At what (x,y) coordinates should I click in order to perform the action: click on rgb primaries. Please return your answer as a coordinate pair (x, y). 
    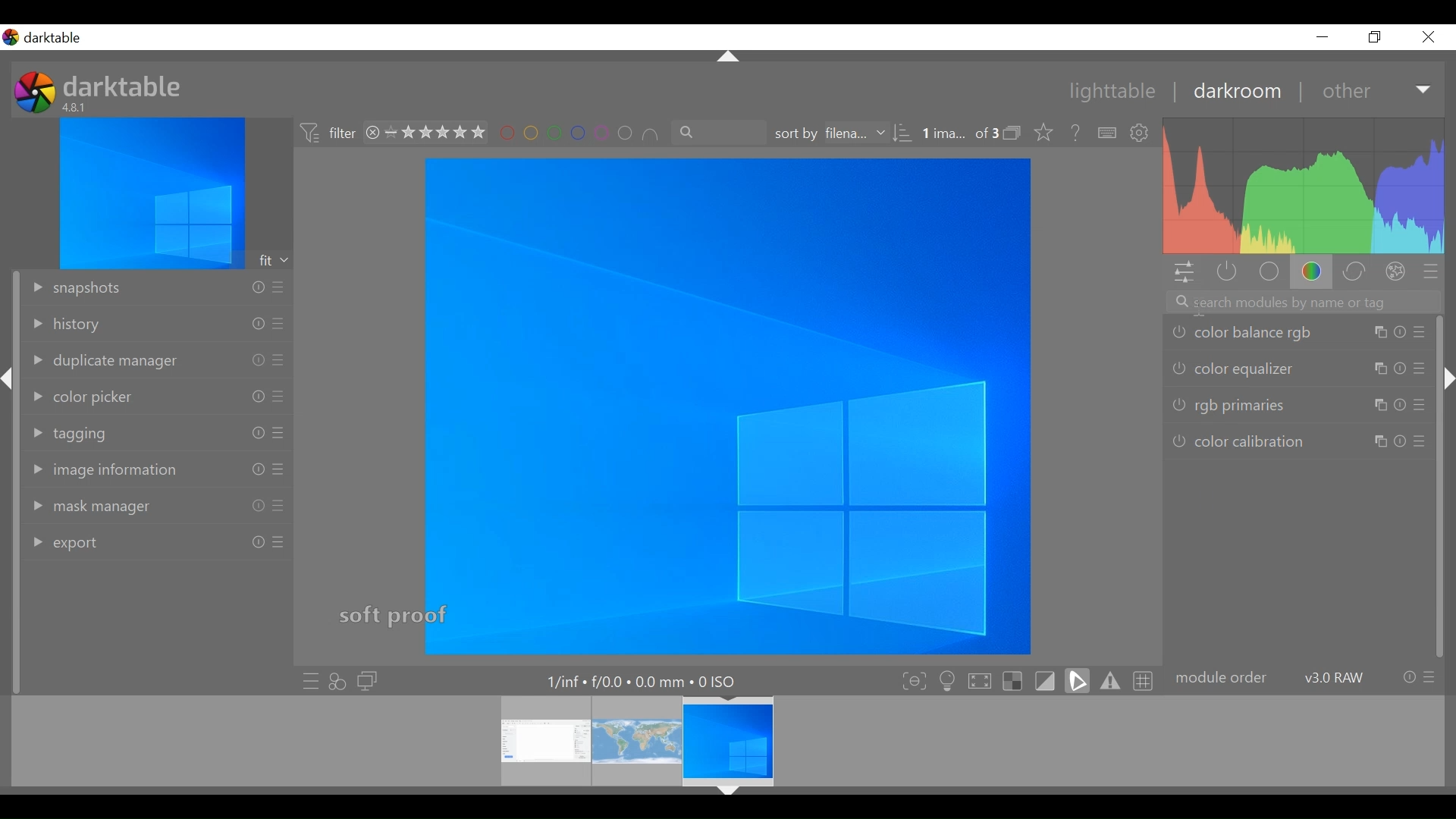
    Looking at the image, I should click on (1230, 406).